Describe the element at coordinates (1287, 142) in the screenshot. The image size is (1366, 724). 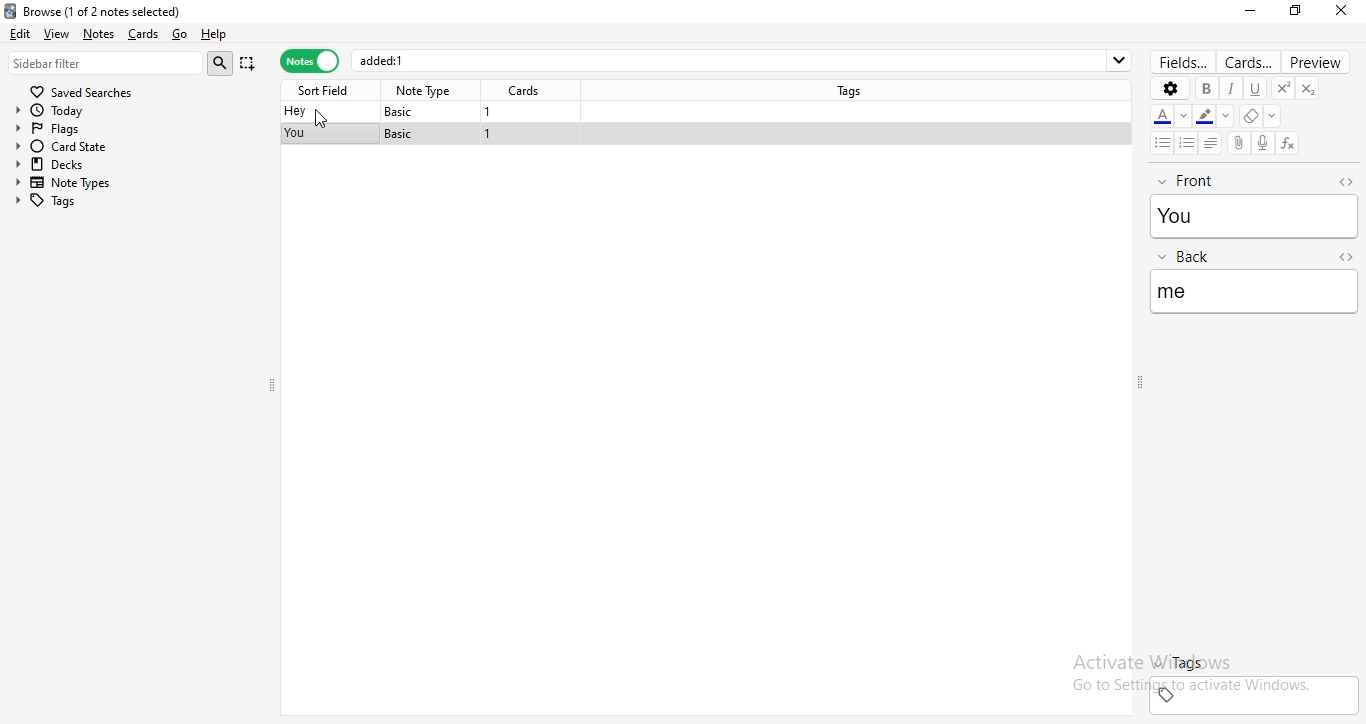
I see `formula` at that location.